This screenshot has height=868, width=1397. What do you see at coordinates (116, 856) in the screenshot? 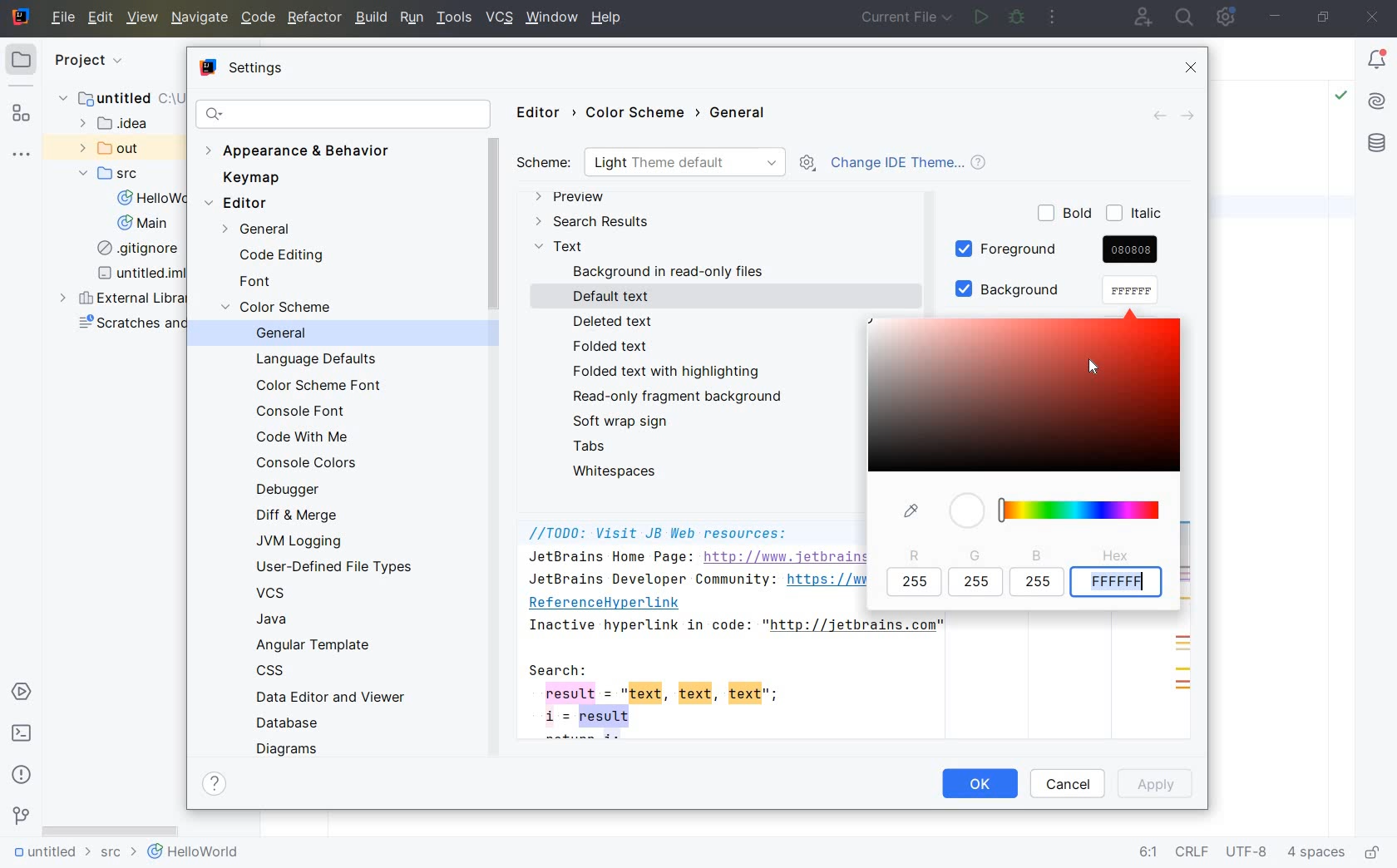
I see `src` at bounding box center [116, 856].